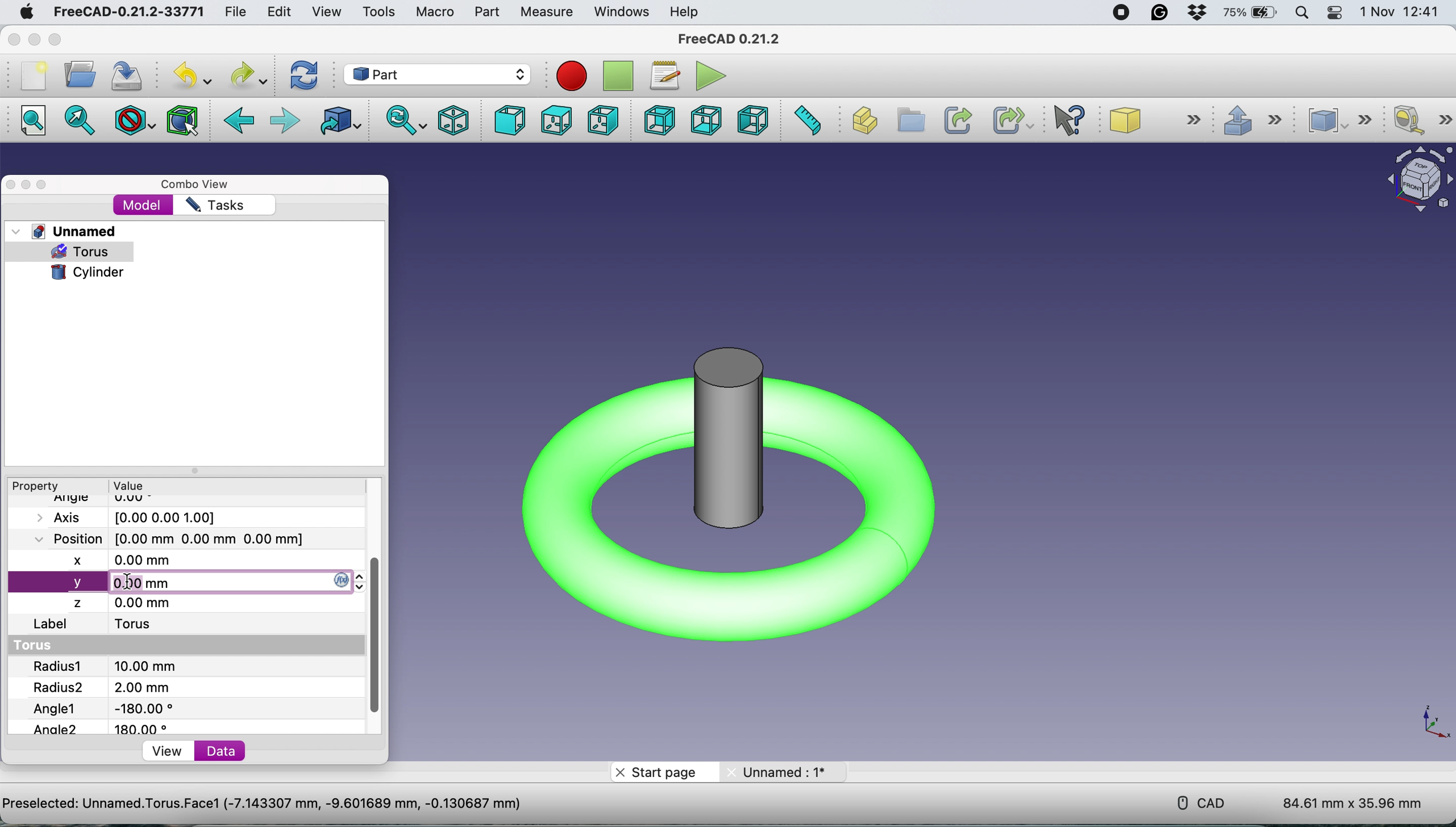 This screenshot has height=827, width=1456. Describe the element at coordinates (375, 638) in the screenshot. I see `vertical scroll bar` at that location.